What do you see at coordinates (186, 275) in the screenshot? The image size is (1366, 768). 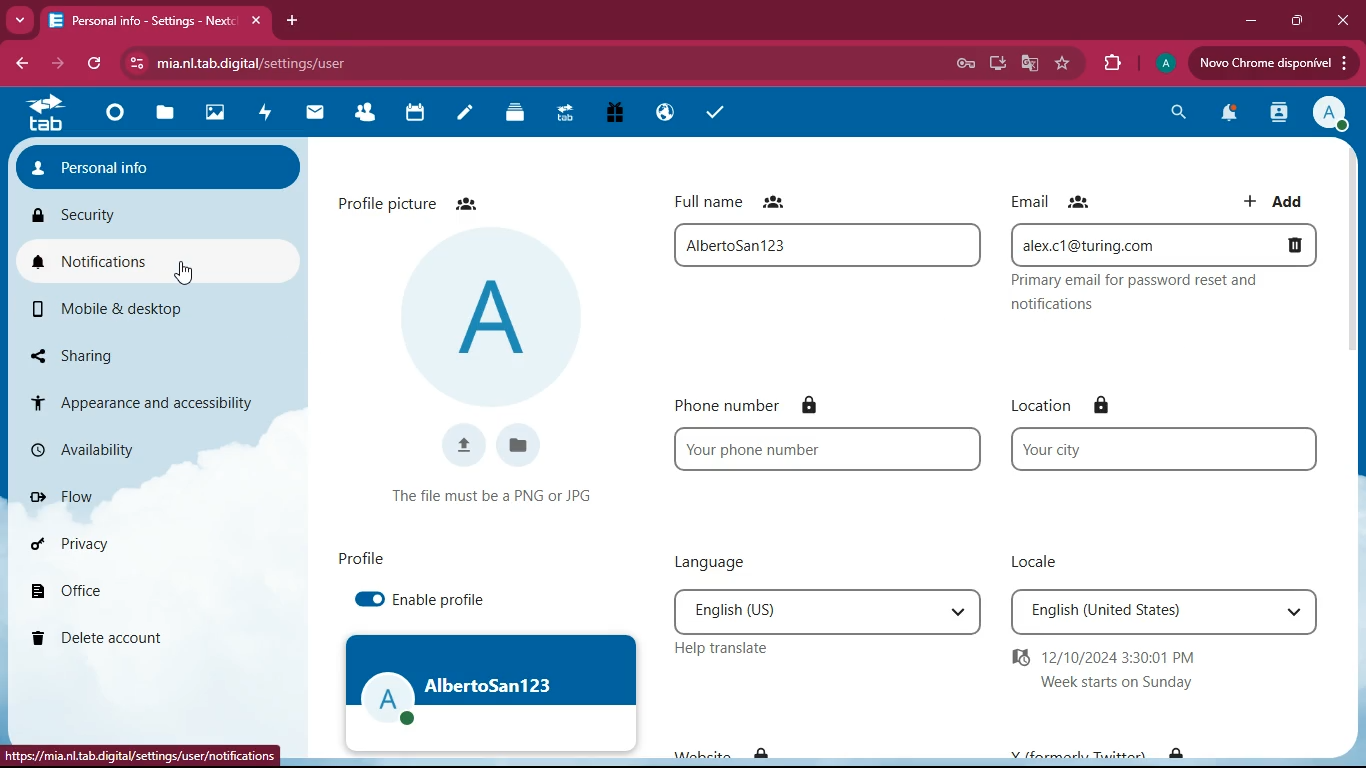 I see `cursor` at bounding box center [186, 275].